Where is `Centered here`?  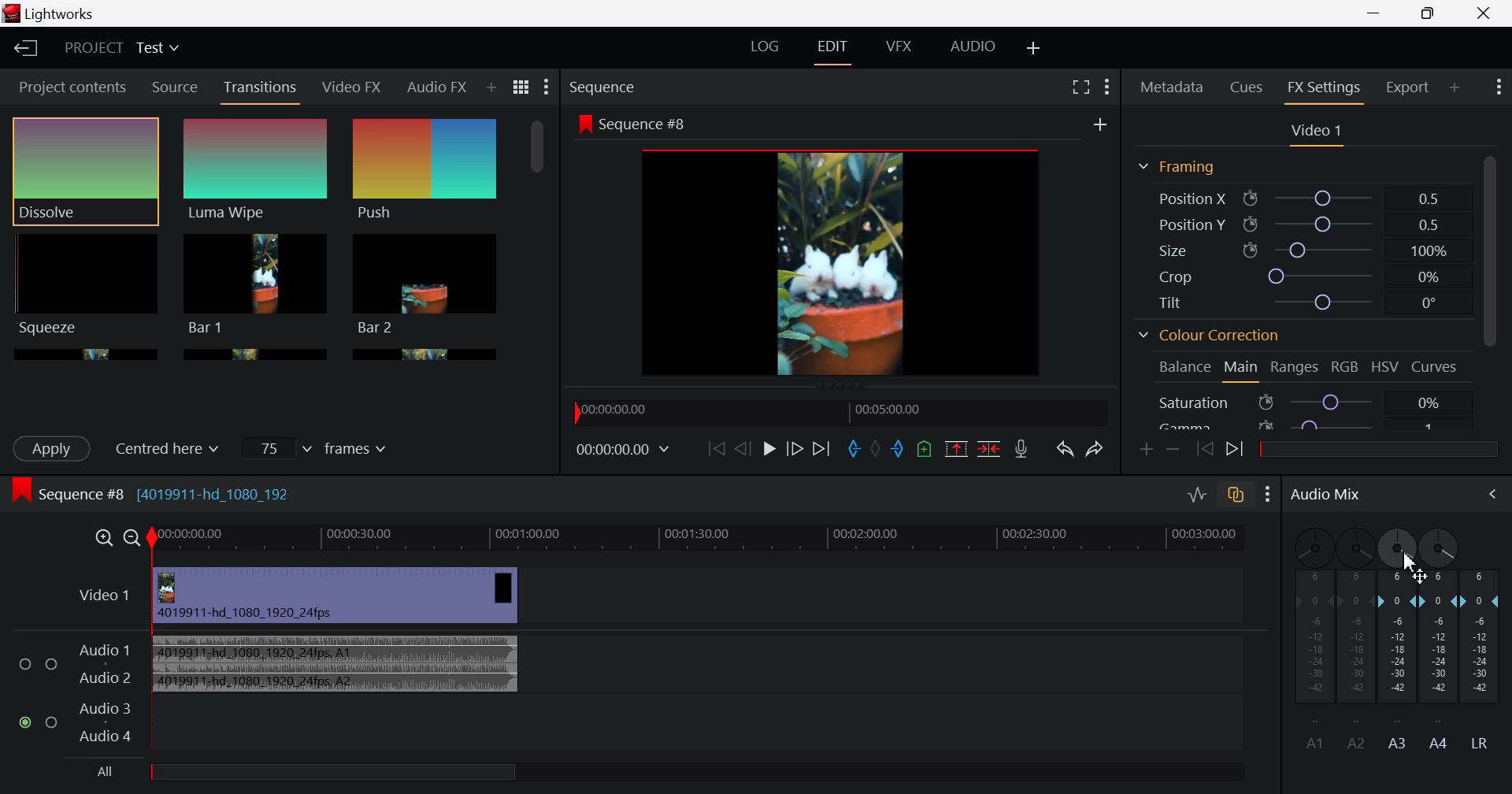 Centered here is located at coordinates (174, 447).